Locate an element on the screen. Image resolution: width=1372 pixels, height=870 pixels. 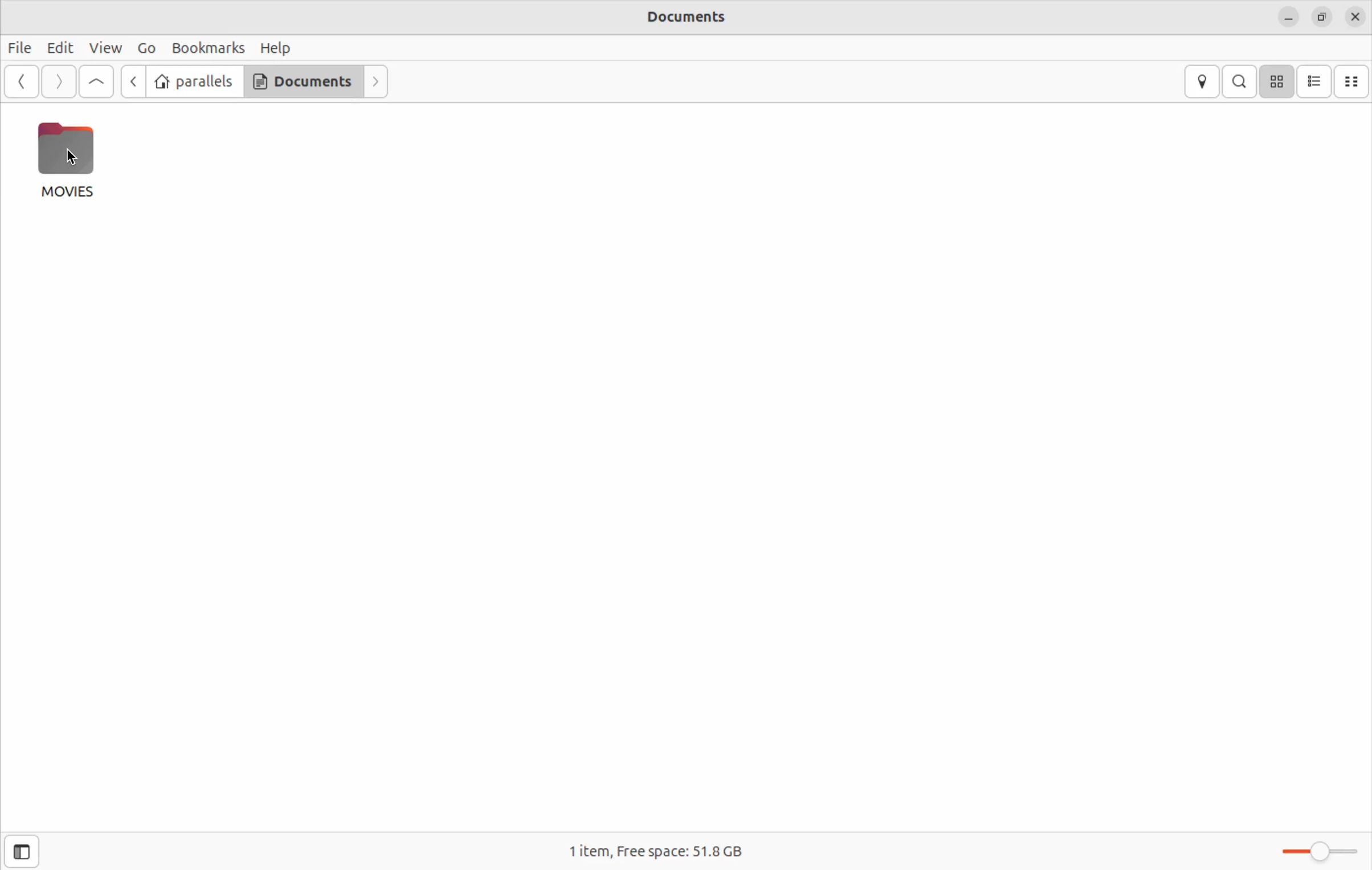
help is located at coordinates (281, 49).